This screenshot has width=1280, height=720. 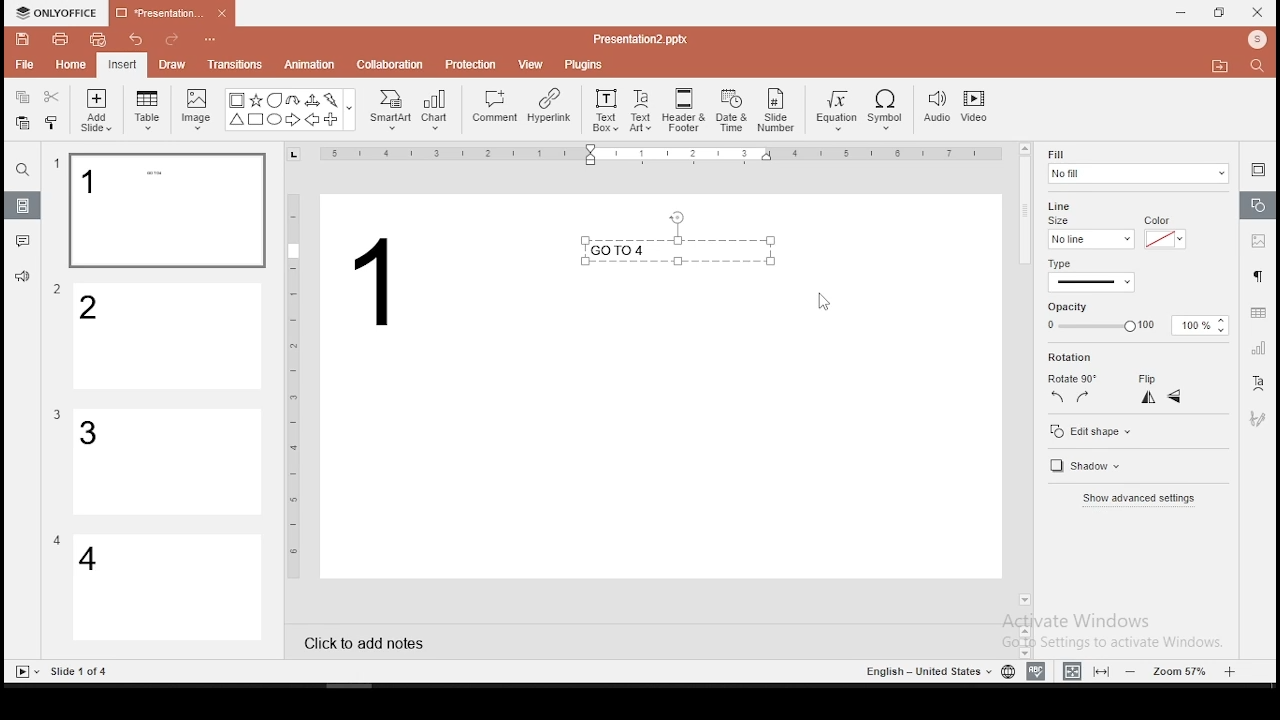 I want to click on edit shape, so click(x=1089, y=431).